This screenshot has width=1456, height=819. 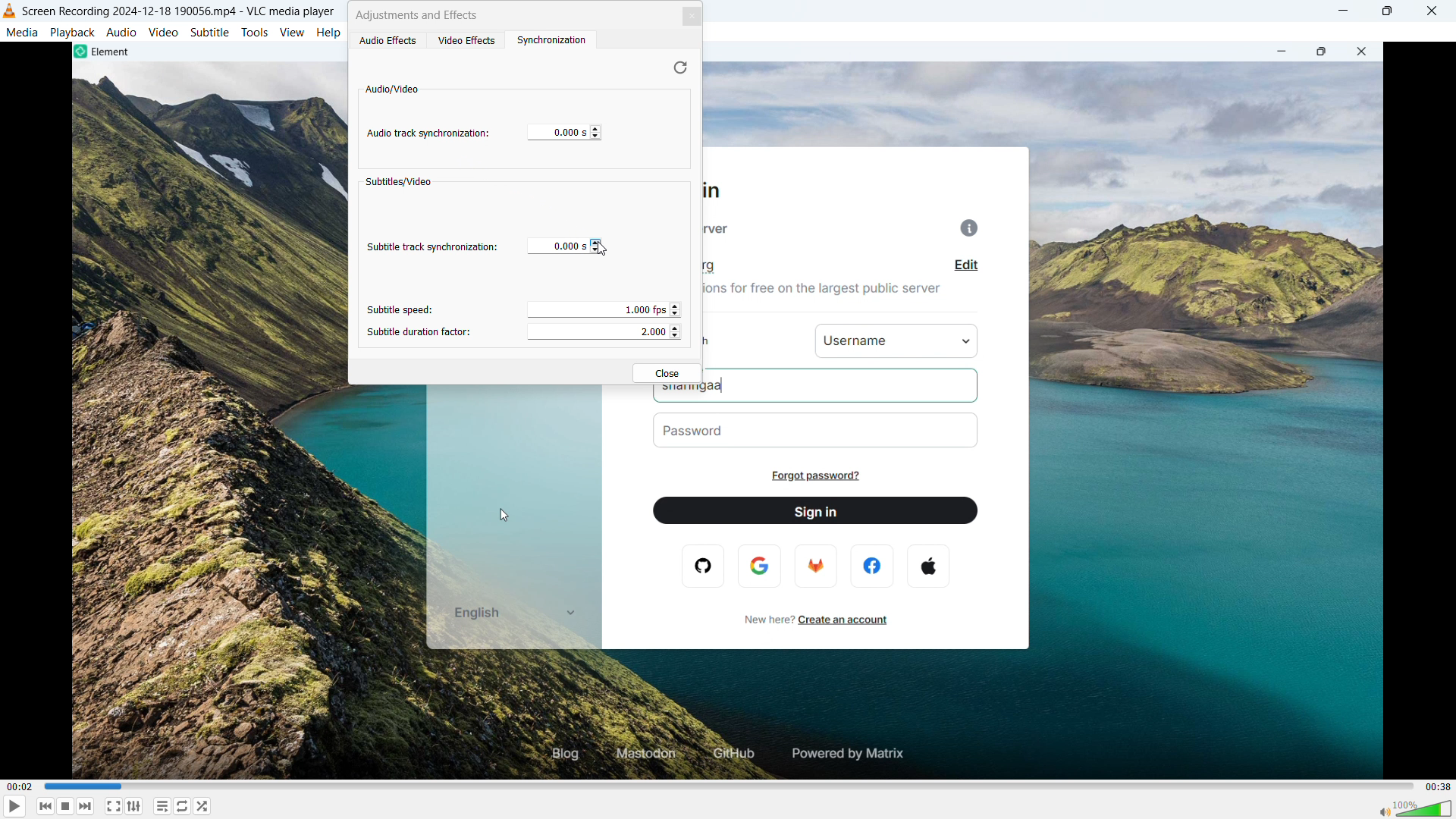 What do you see at coordinates (429, 134) in the screenshot?
I see `audio track synchronization` at bounding box center [429, 134].